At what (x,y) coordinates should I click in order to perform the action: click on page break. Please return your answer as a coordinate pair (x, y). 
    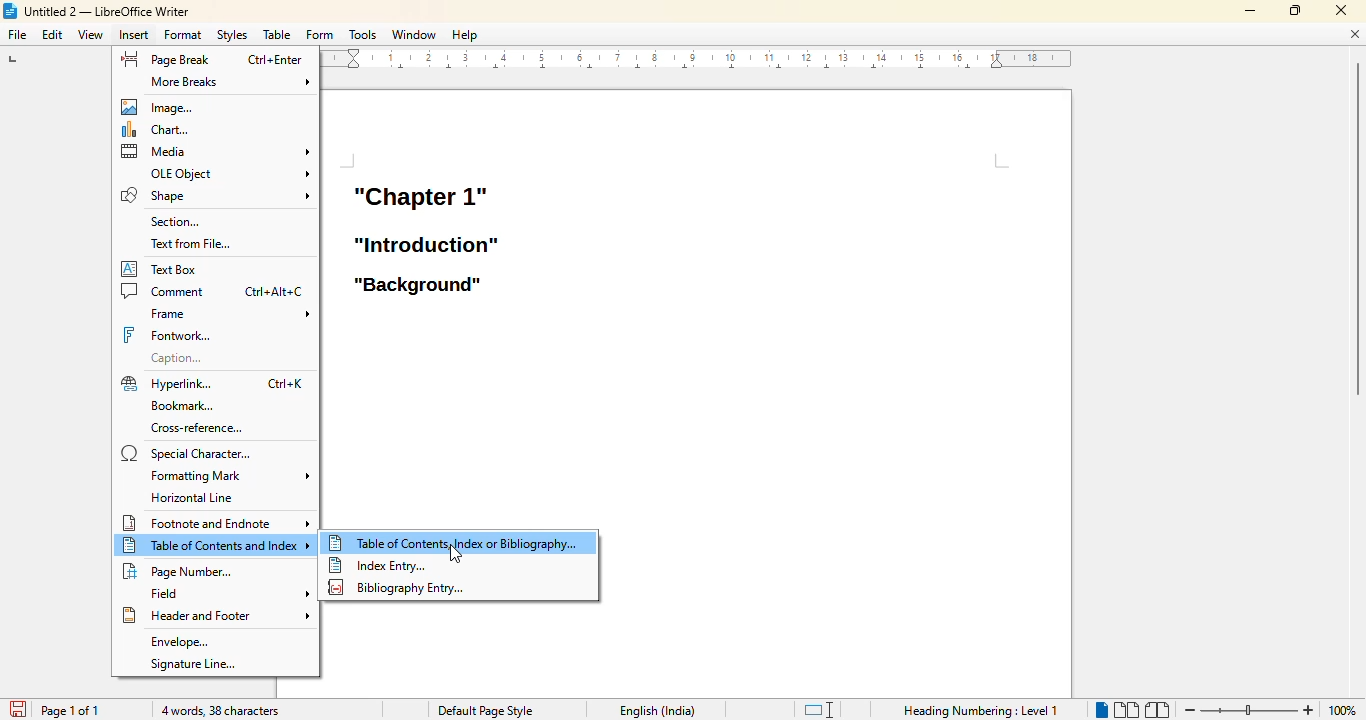
    Looking at the image, I should click on (165, 59).